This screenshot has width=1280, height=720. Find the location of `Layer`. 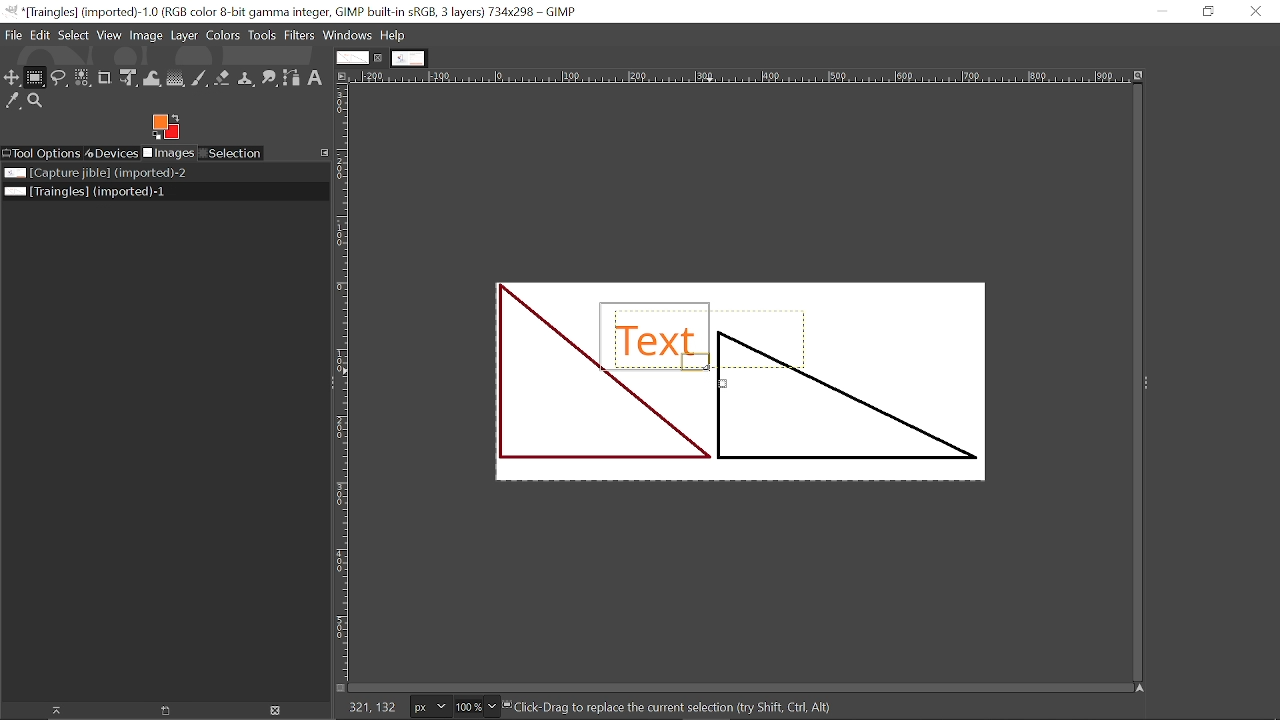

Layer is located at coordinates (184, 36).